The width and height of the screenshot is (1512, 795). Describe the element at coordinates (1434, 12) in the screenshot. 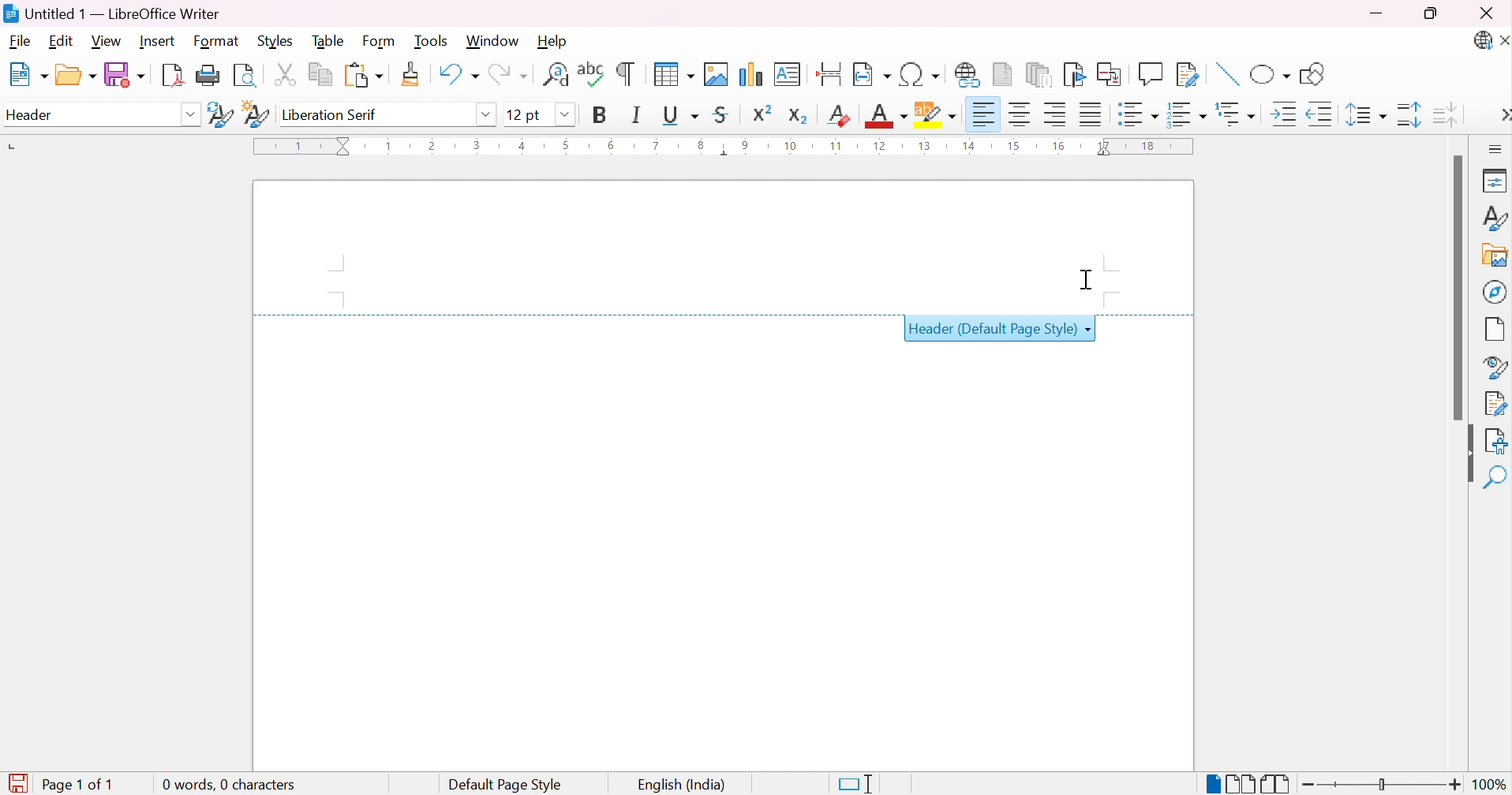

I see `Restore down` at that location.